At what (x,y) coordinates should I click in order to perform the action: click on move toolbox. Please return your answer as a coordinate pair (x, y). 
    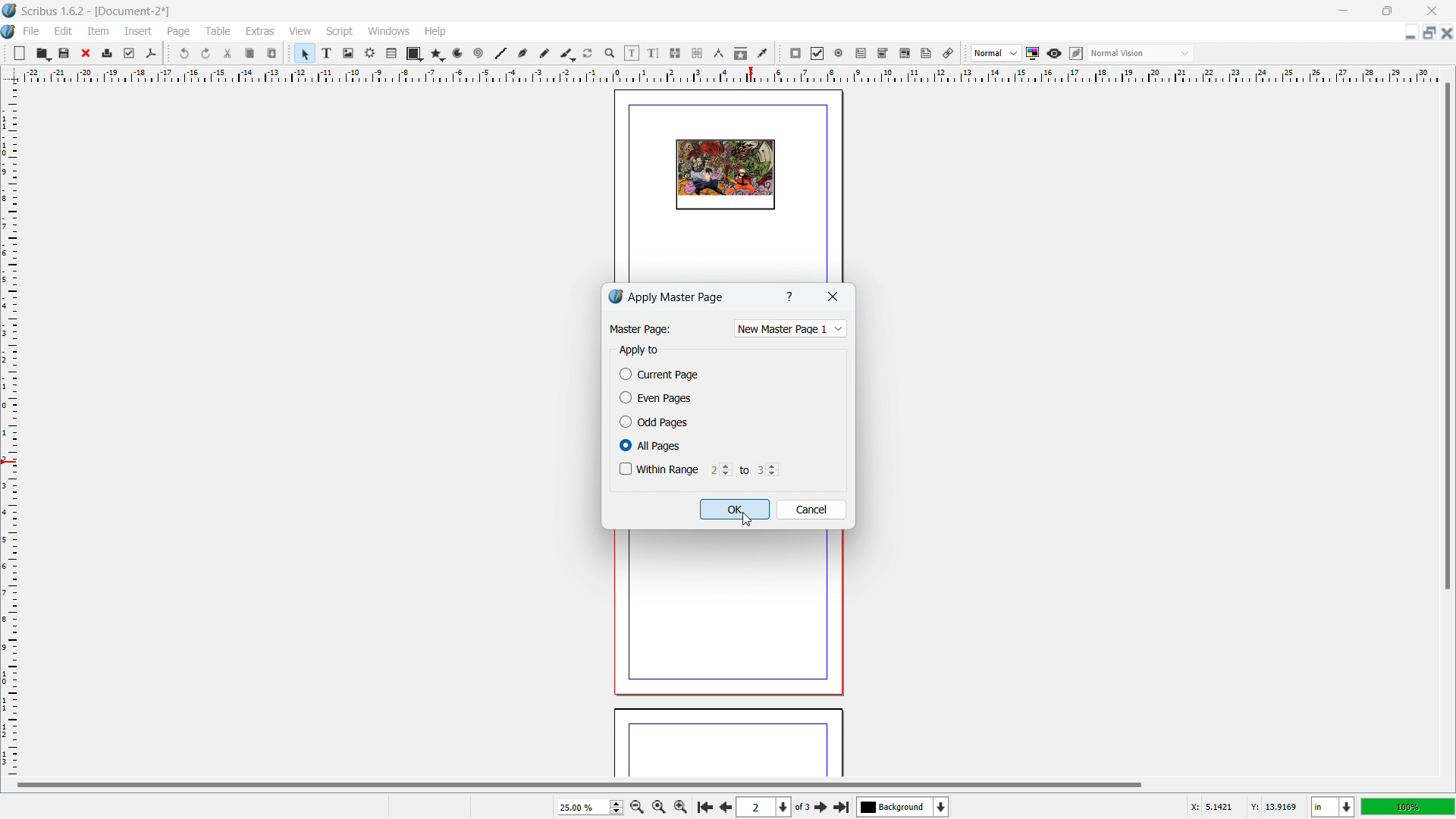
    Looking at the image, I should click on (168, 52).